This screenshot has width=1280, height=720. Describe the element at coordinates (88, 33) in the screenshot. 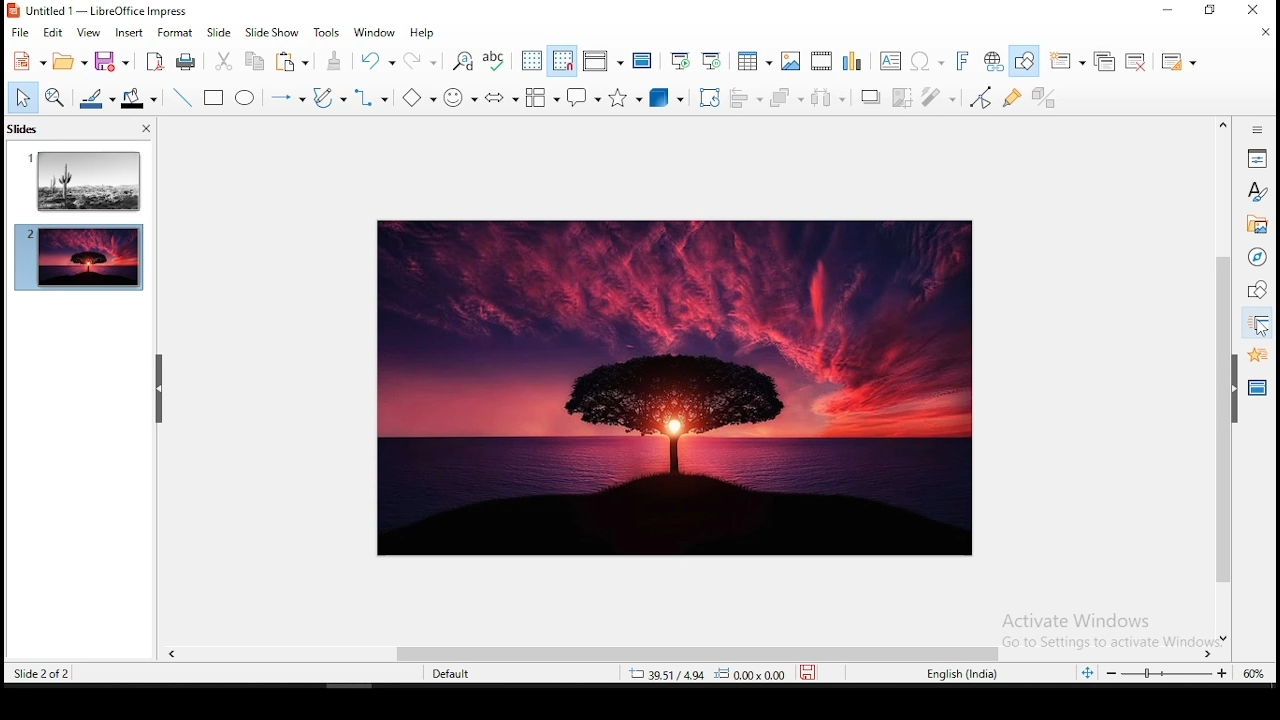

I see `view` at that location.